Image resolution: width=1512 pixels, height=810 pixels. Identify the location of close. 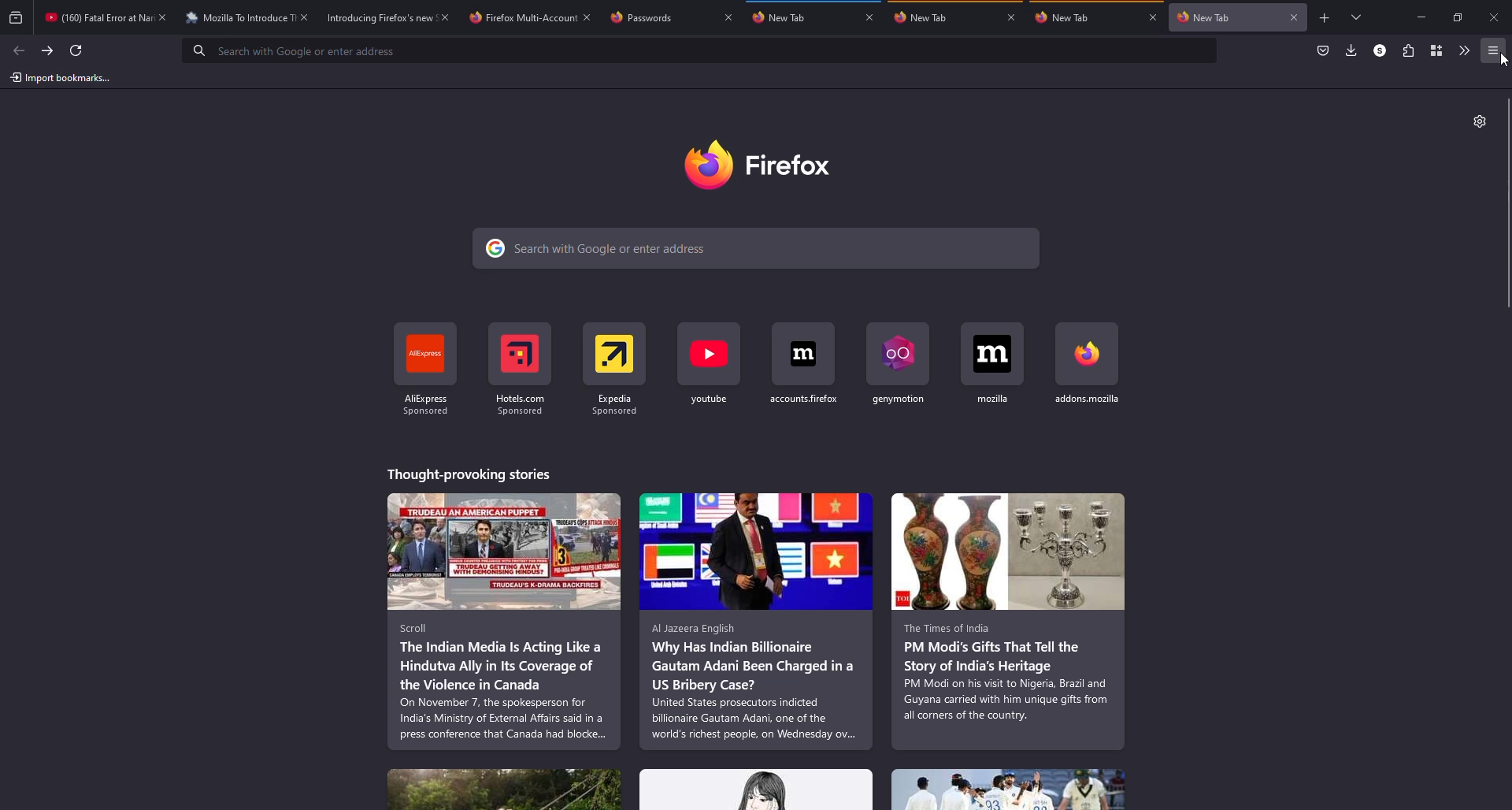
(1295, 17).